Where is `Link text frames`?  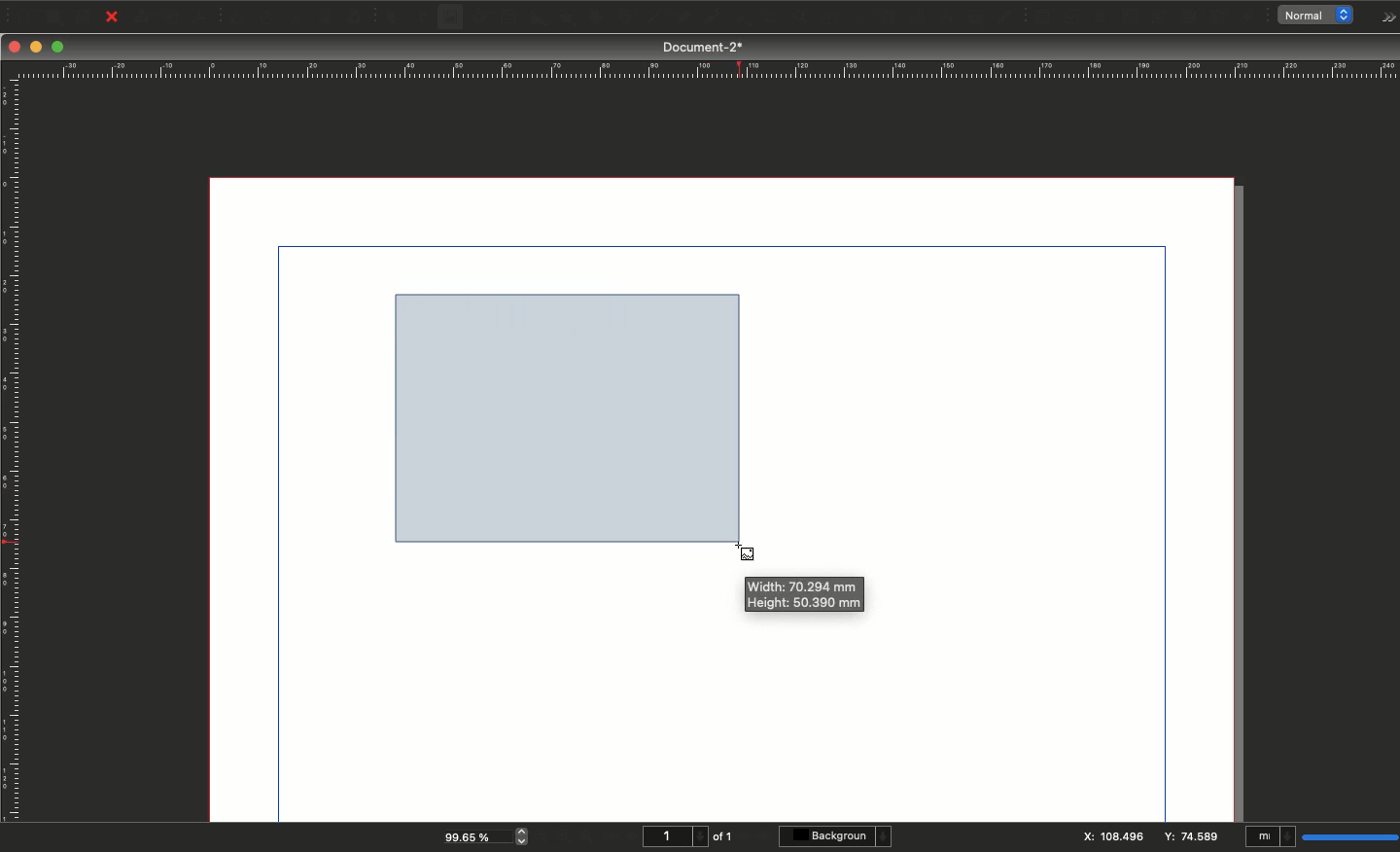
Link text frames is located at coordinates (880, 17).